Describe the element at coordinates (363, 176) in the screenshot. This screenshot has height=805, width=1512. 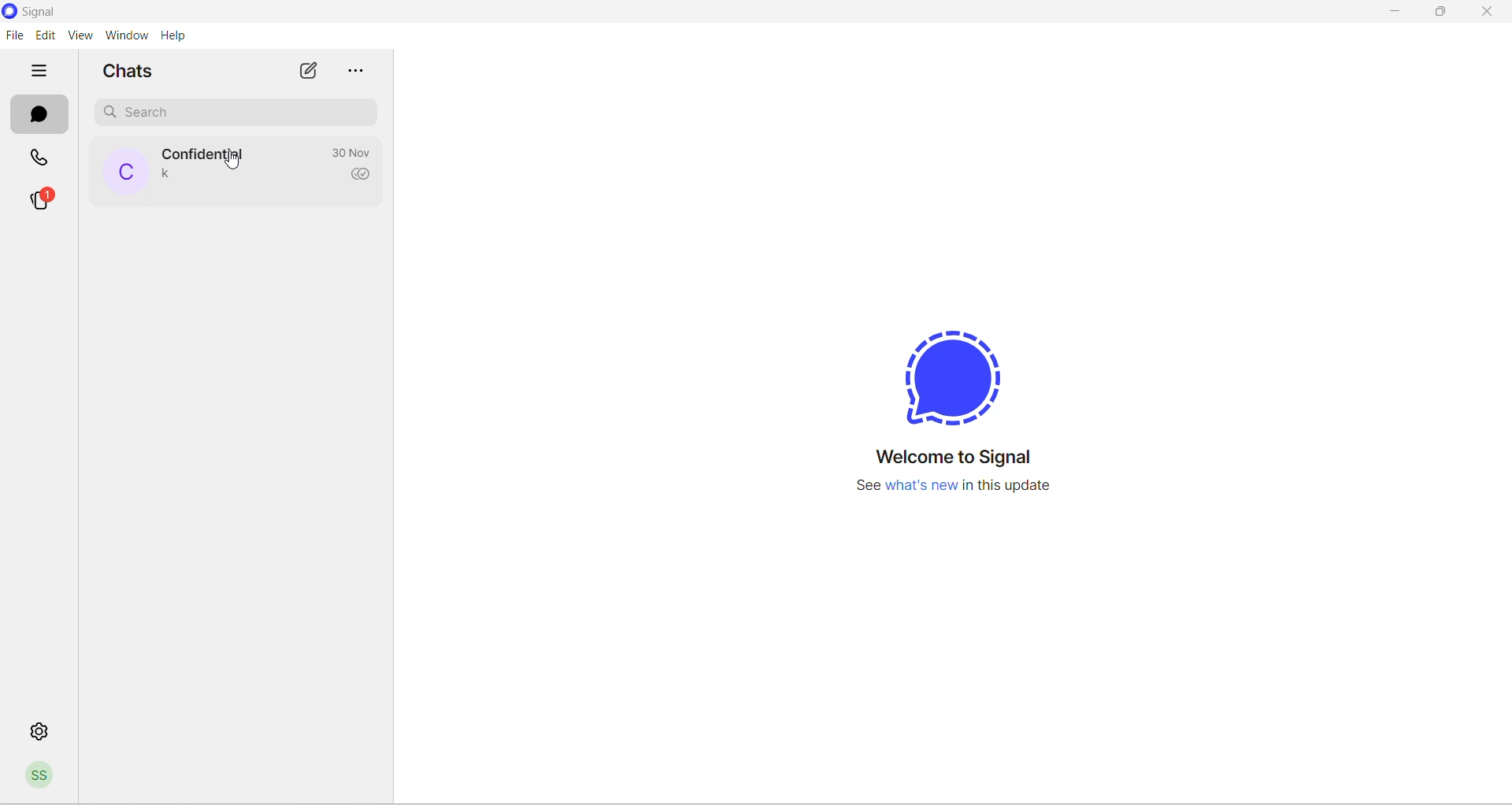
I see `read recipient` at that location.